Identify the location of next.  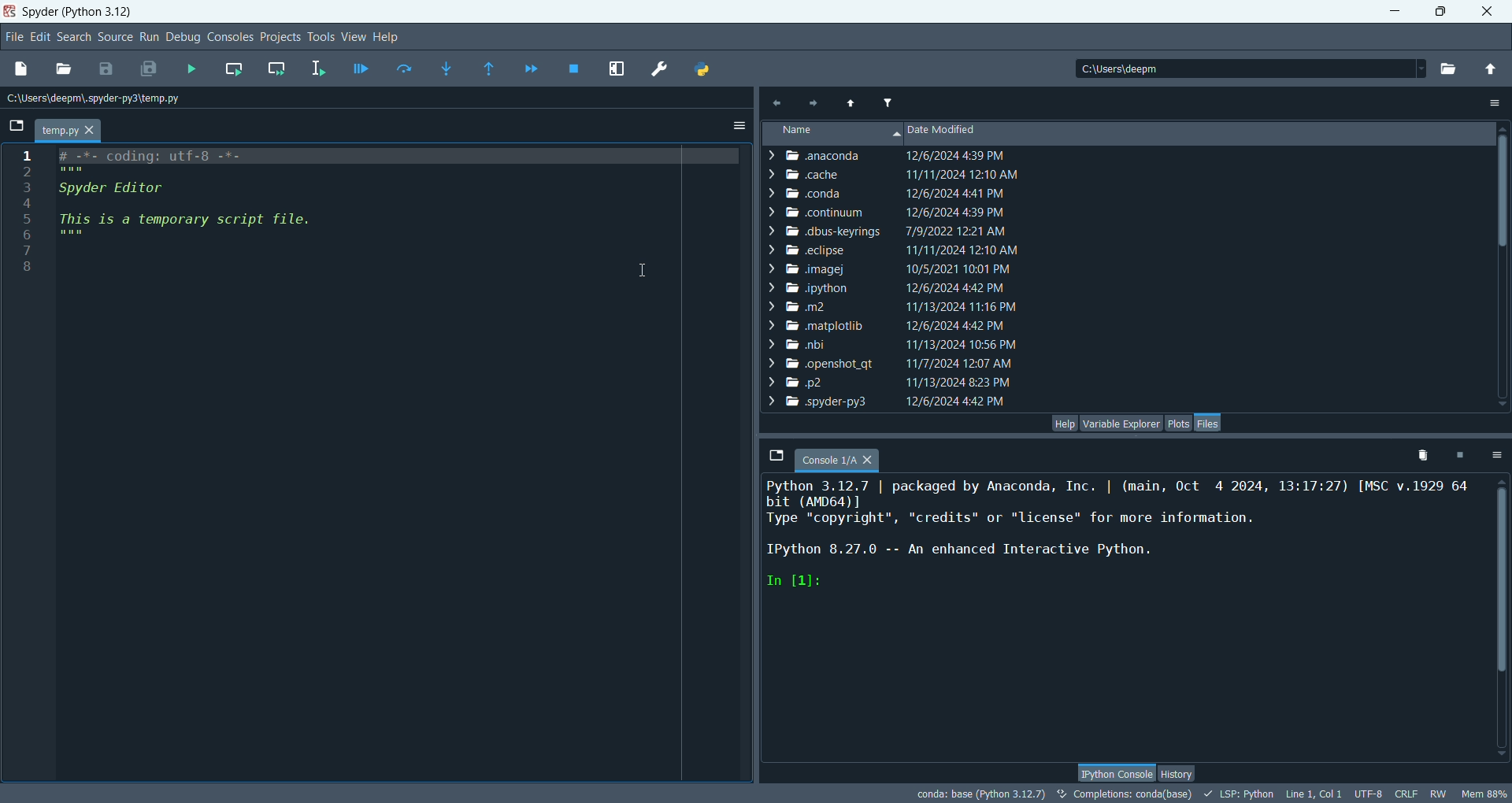
(812, 102).